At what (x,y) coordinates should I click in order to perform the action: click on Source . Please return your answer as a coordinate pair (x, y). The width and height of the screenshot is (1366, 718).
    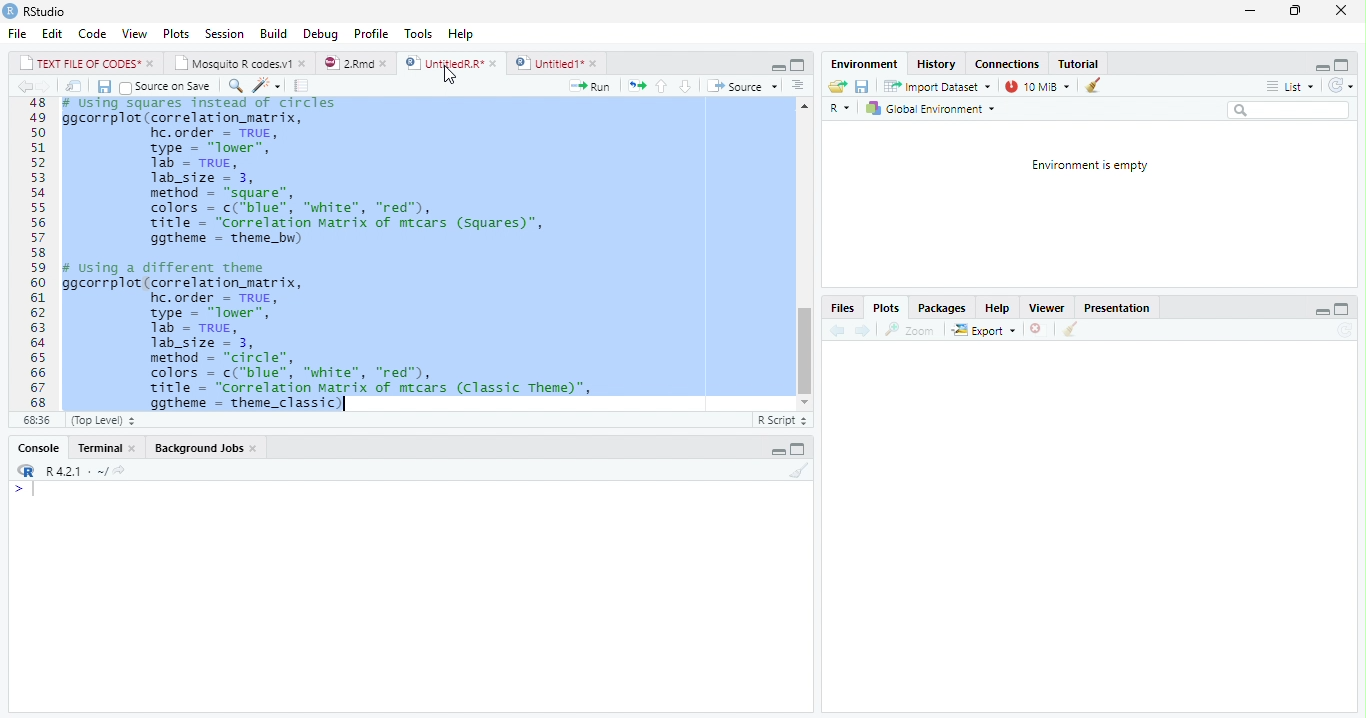
    Looking at the image, I should click on (748, 87).